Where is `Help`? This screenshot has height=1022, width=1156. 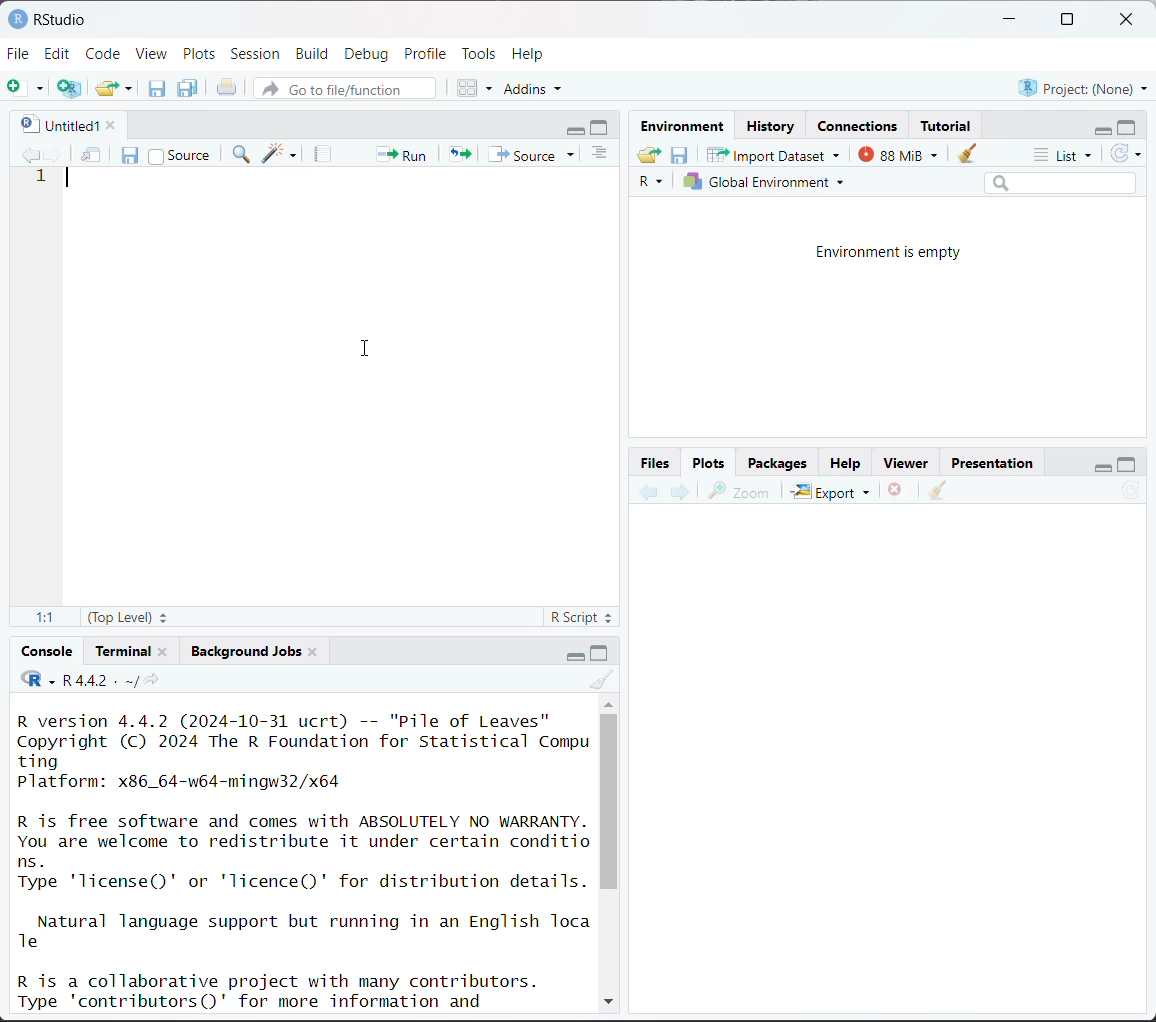
Help is located at coordinates (845, 465).